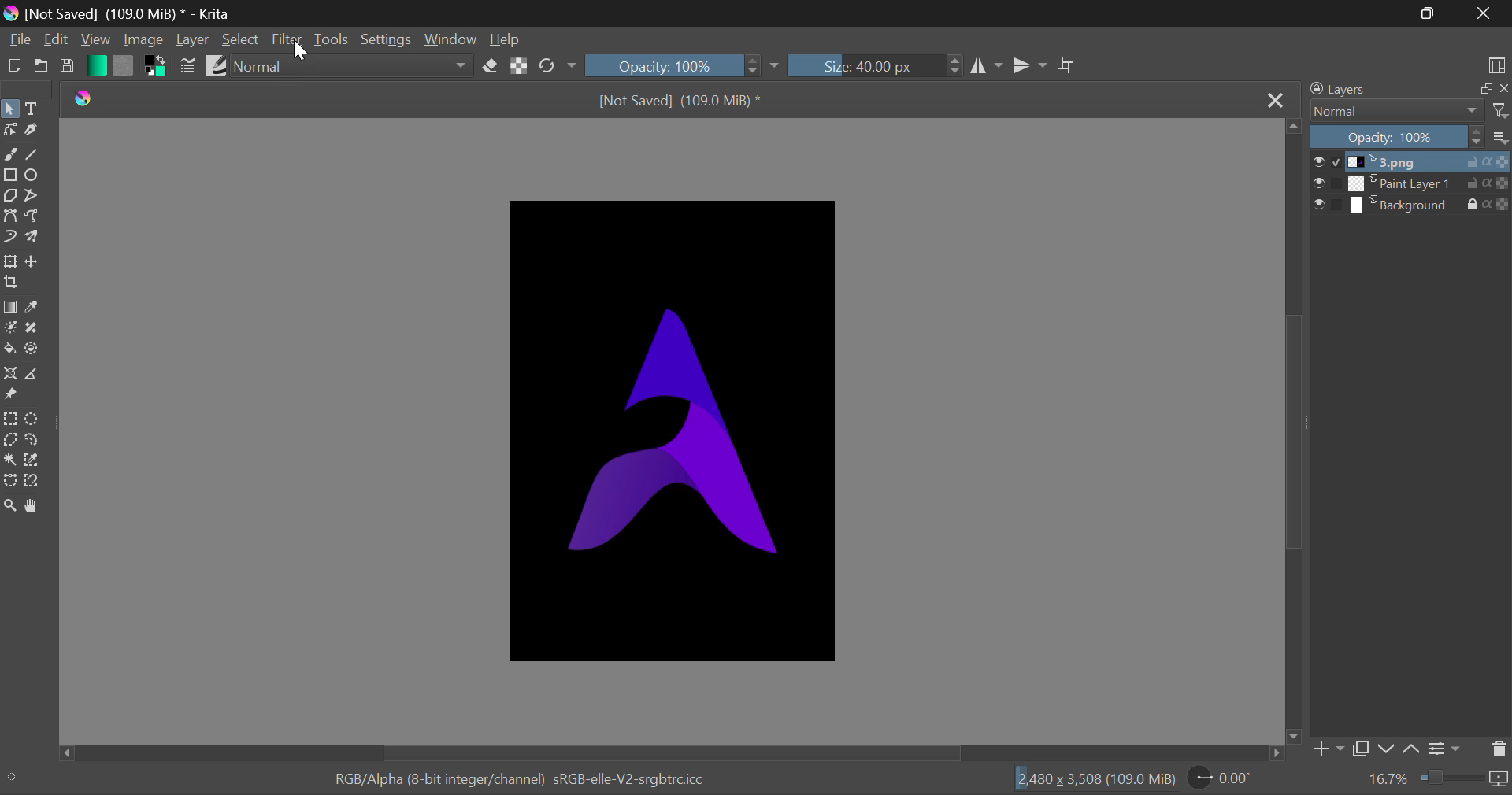  Describe the element at coordinates (9, 480) in the screenshot. I see `Bezier Curve Selection Tool` at that location.